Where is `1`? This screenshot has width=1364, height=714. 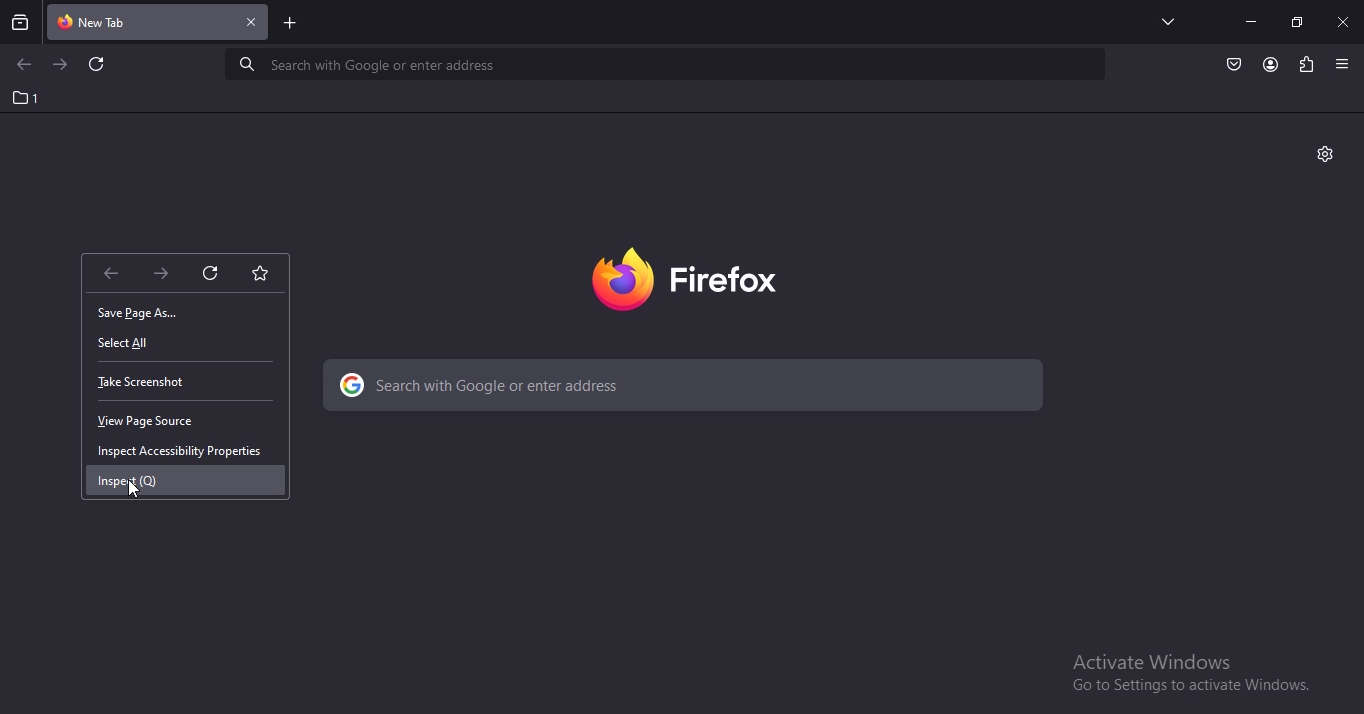 1 is located at coordinates (24, 97).